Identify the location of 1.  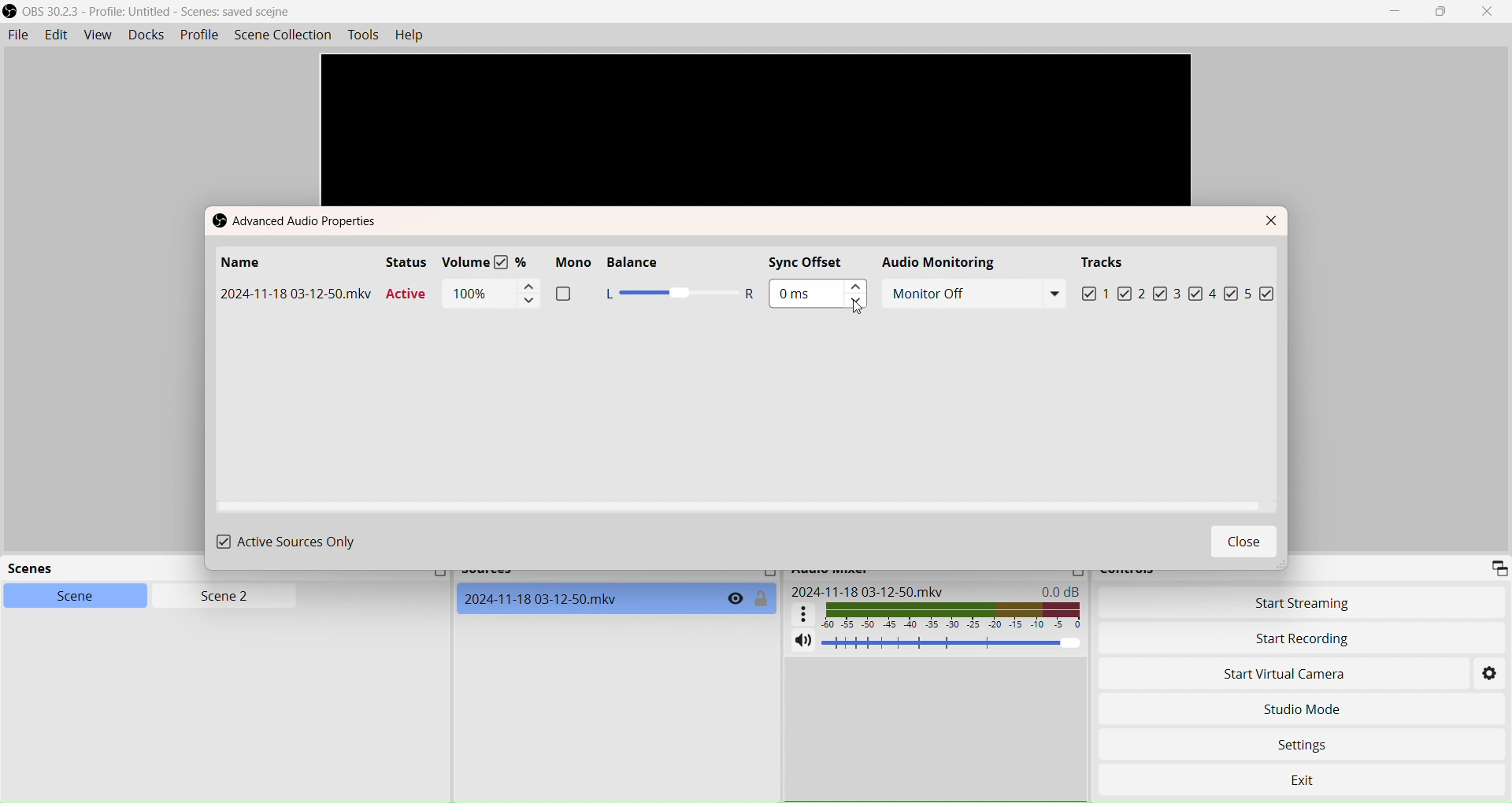
(1105, 294).